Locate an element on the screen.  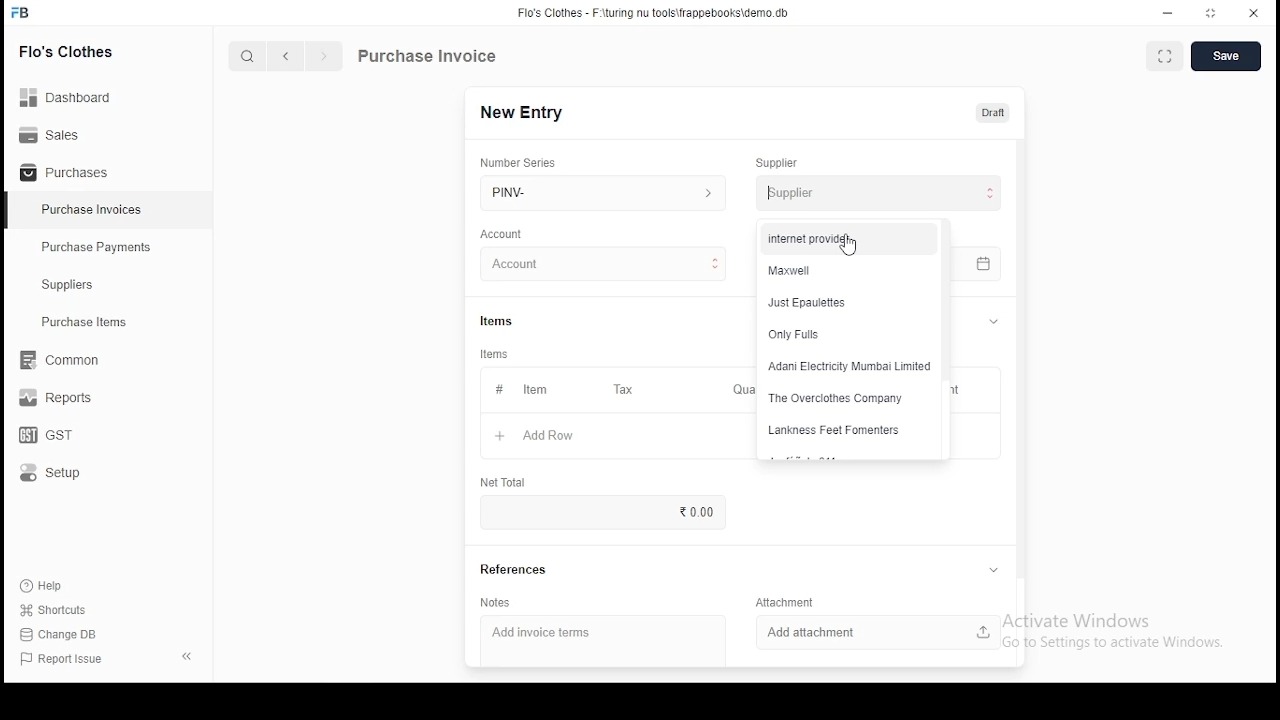
quality is located at coordinates (845, 536).